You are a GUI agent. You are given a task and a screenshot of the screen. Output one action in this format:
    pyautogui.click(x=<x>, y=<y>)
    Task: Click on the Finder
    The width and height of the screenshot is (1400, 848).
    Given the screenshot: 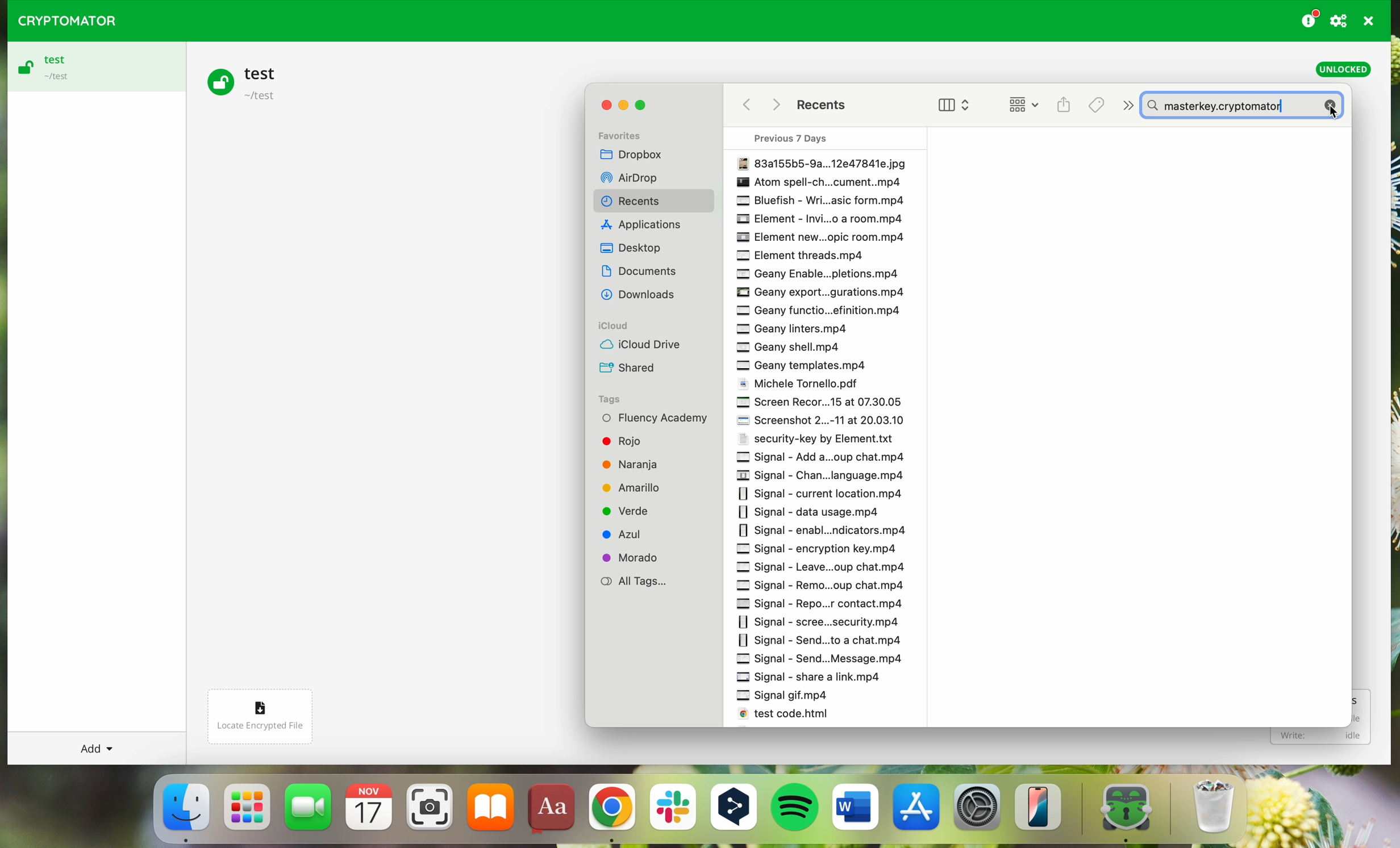 What is the action you would take?
    pyautogui.click(x=185, y=812)
    